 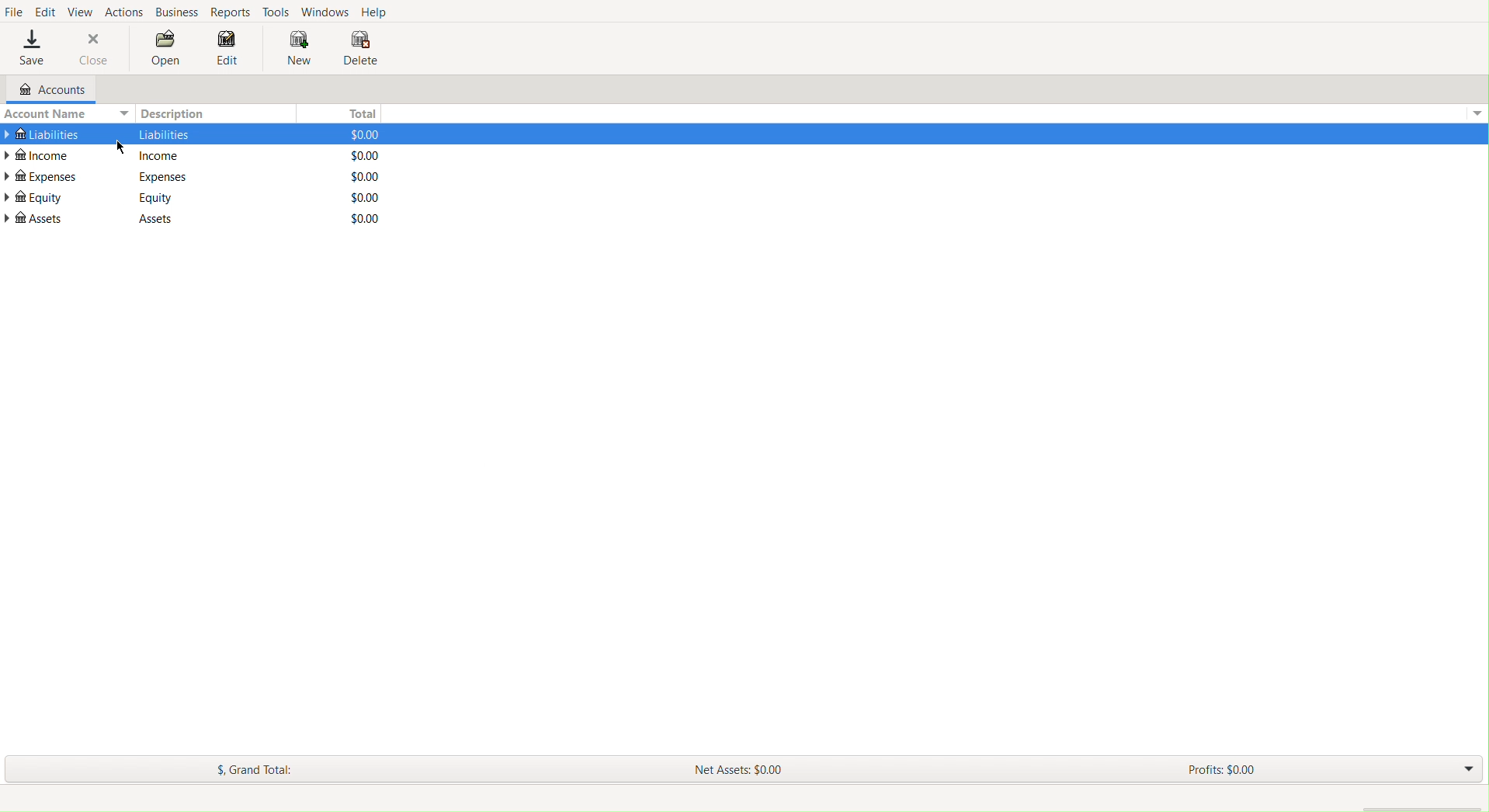 What do you see at coordinates (358, 134) in the screenshot?
I see `$0.00` at bounding box center [358, 134].